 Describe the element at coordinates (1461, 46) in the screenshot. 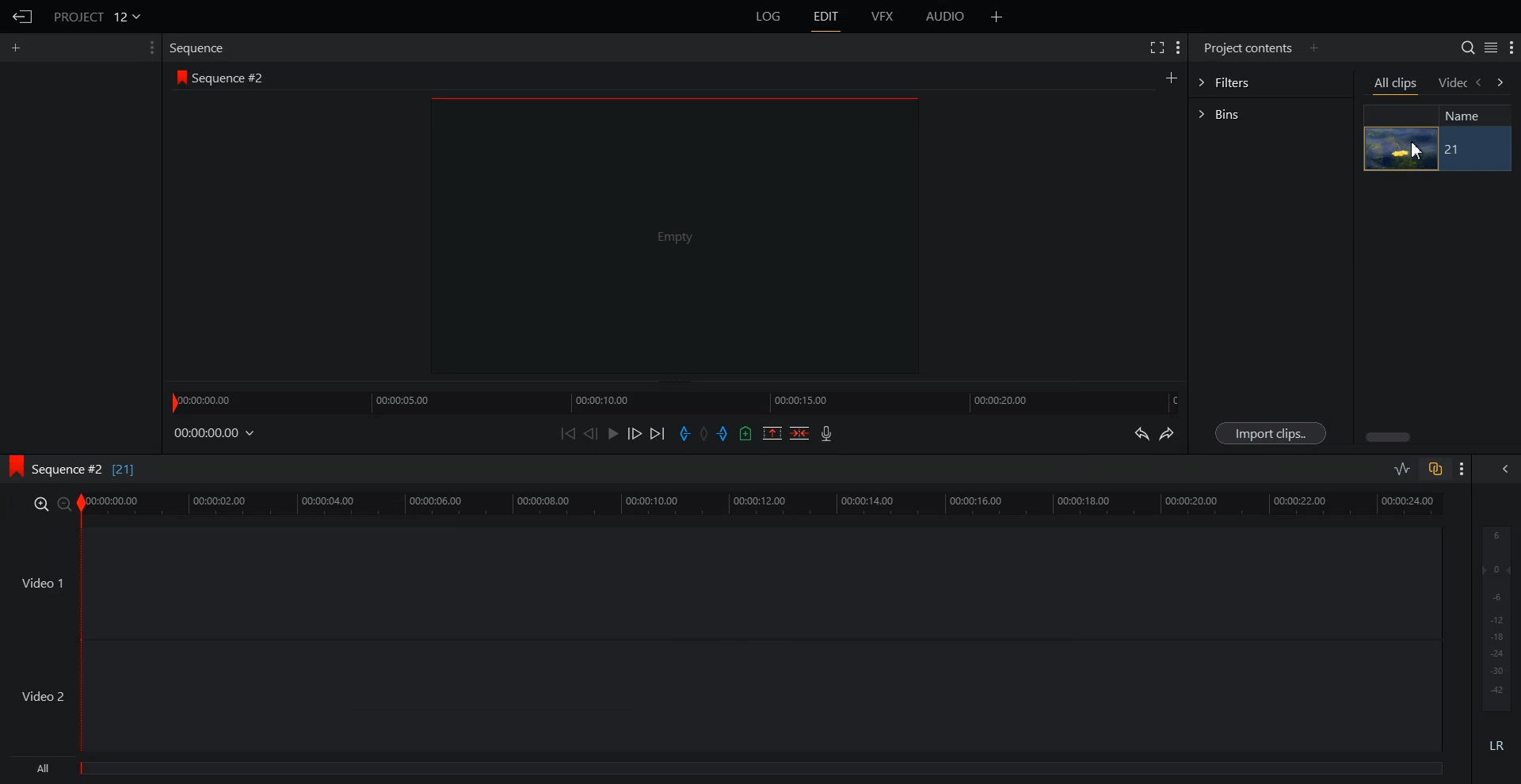

I see `Search` at that location.